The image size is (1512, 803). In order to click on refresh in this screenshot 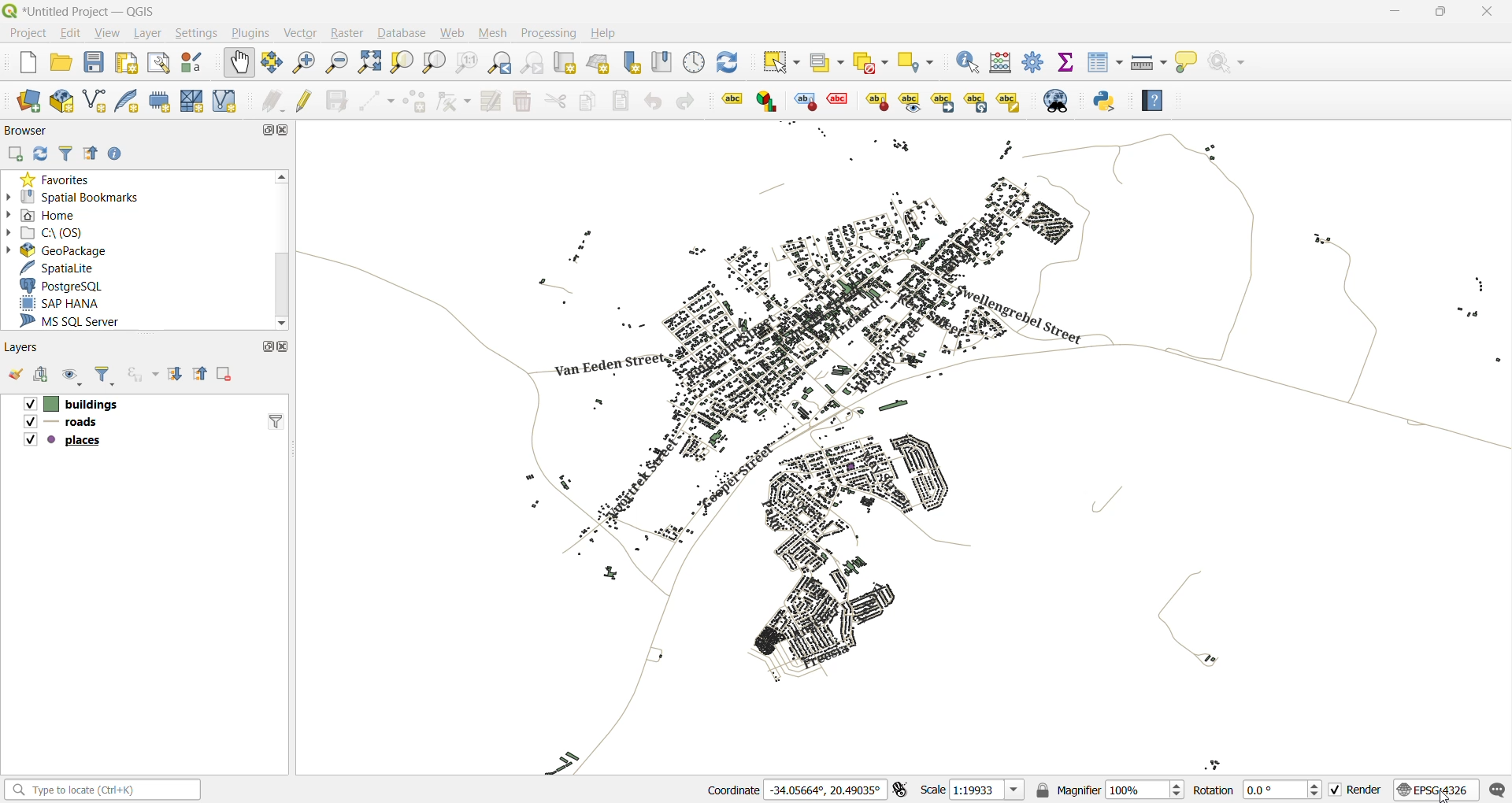, I will do `click(39, 154)`.